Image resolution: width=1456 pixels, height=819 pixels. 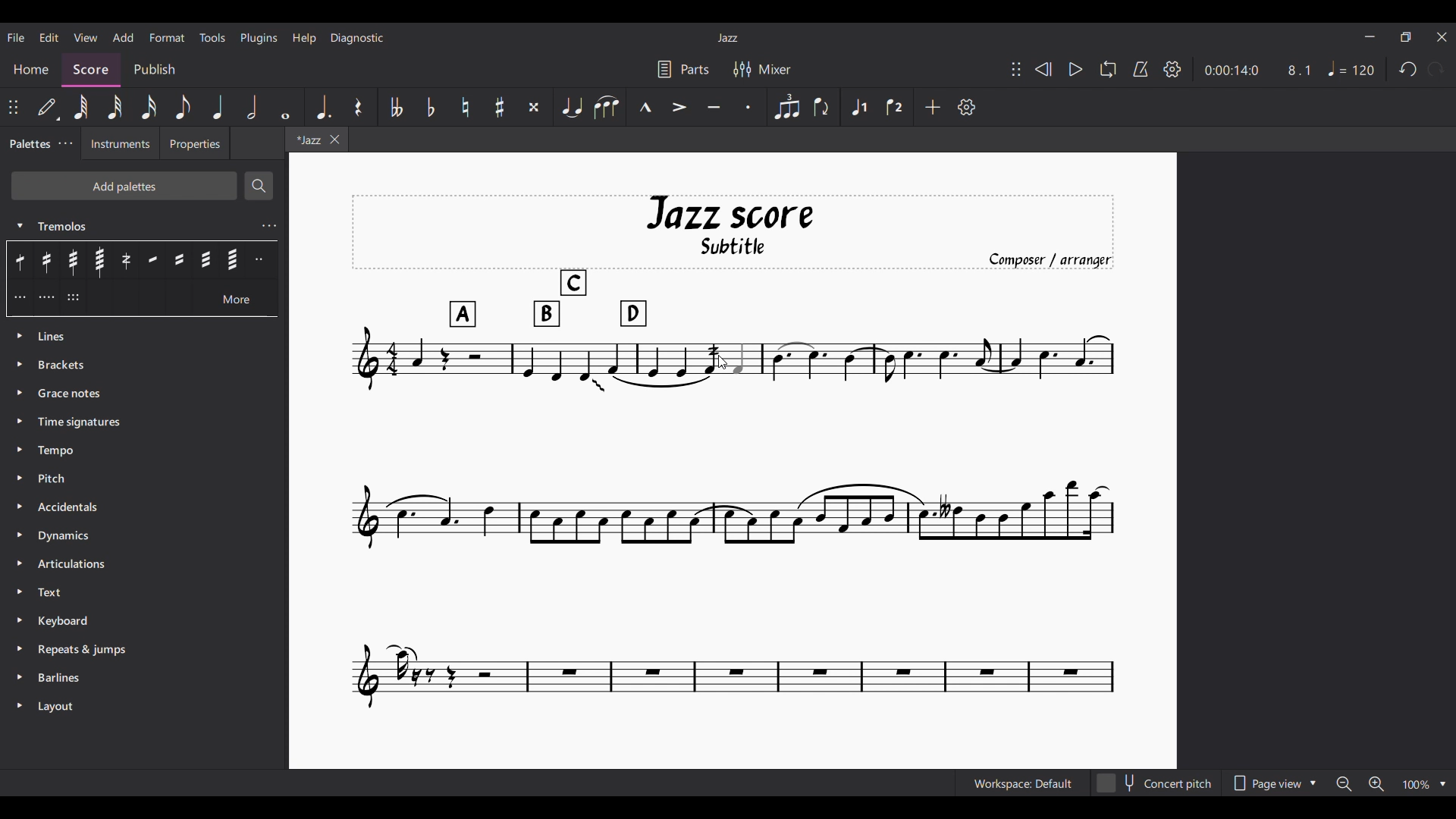 I want to click on Cursor, so click(x=724, y=362).